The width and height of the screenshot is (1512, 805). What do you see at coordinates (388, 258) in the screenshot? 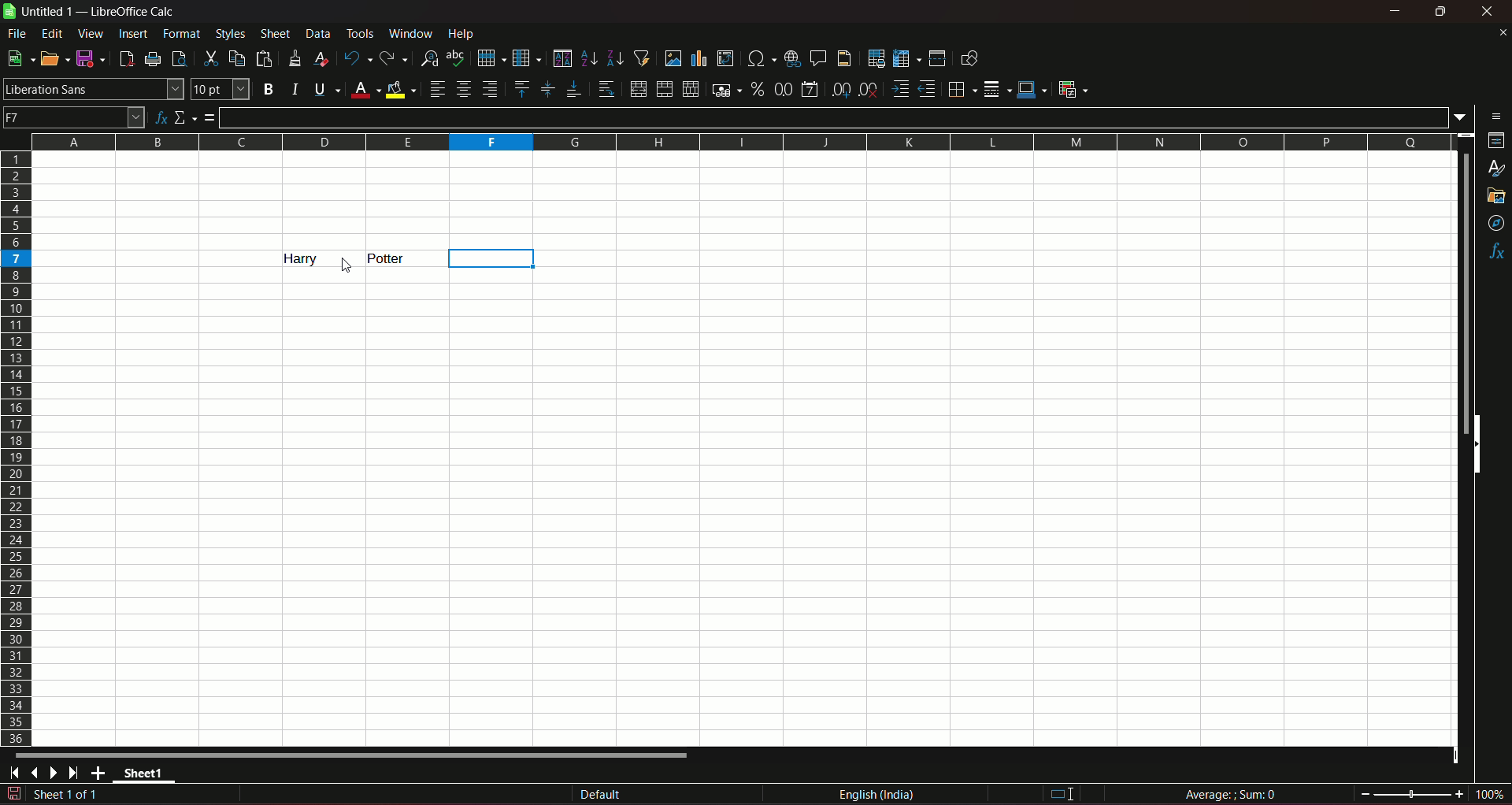
I see `text` at bounding box center [388, 258].